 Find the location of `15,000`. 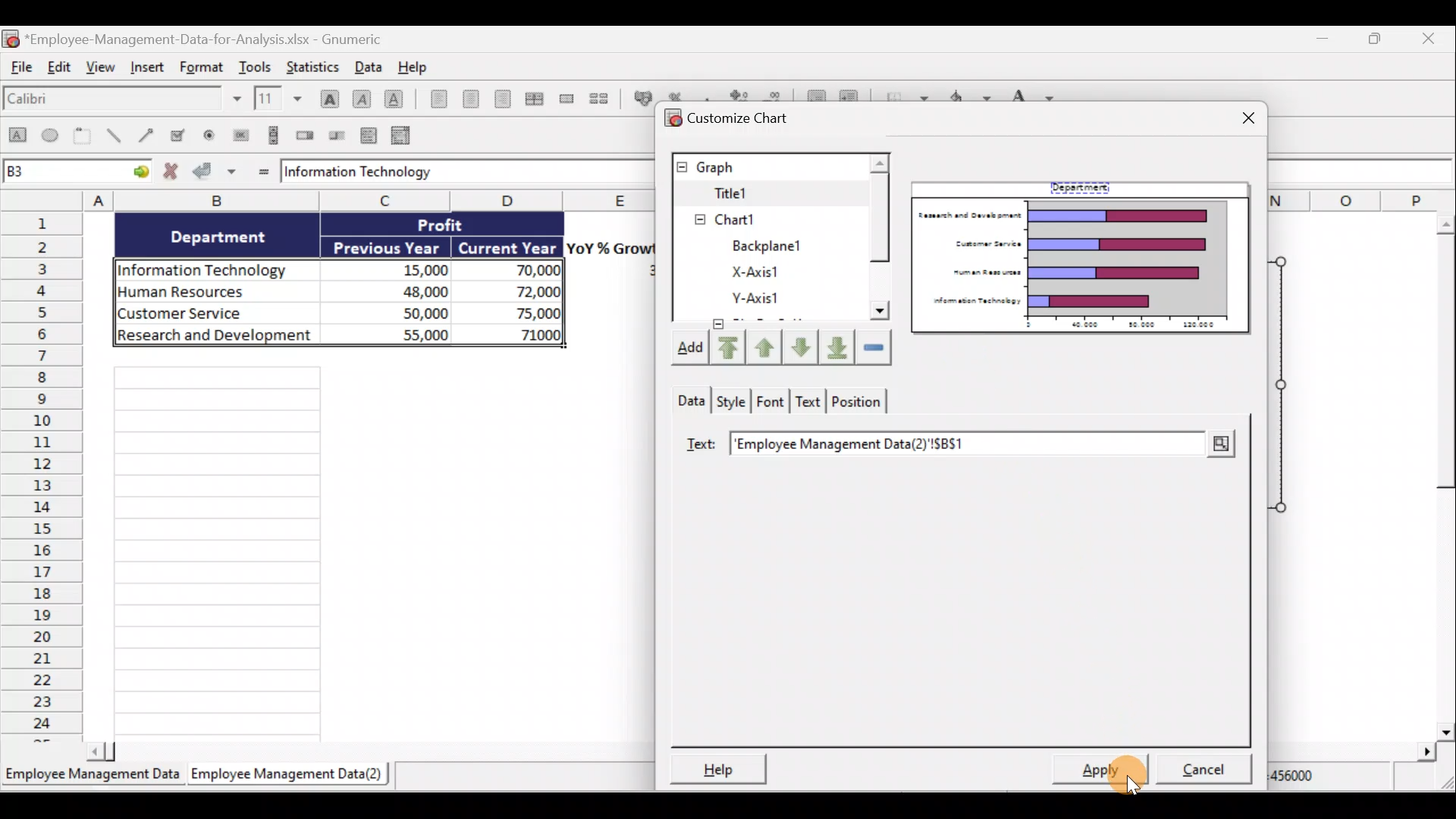

15,000 is located at coordinates (413, 268).